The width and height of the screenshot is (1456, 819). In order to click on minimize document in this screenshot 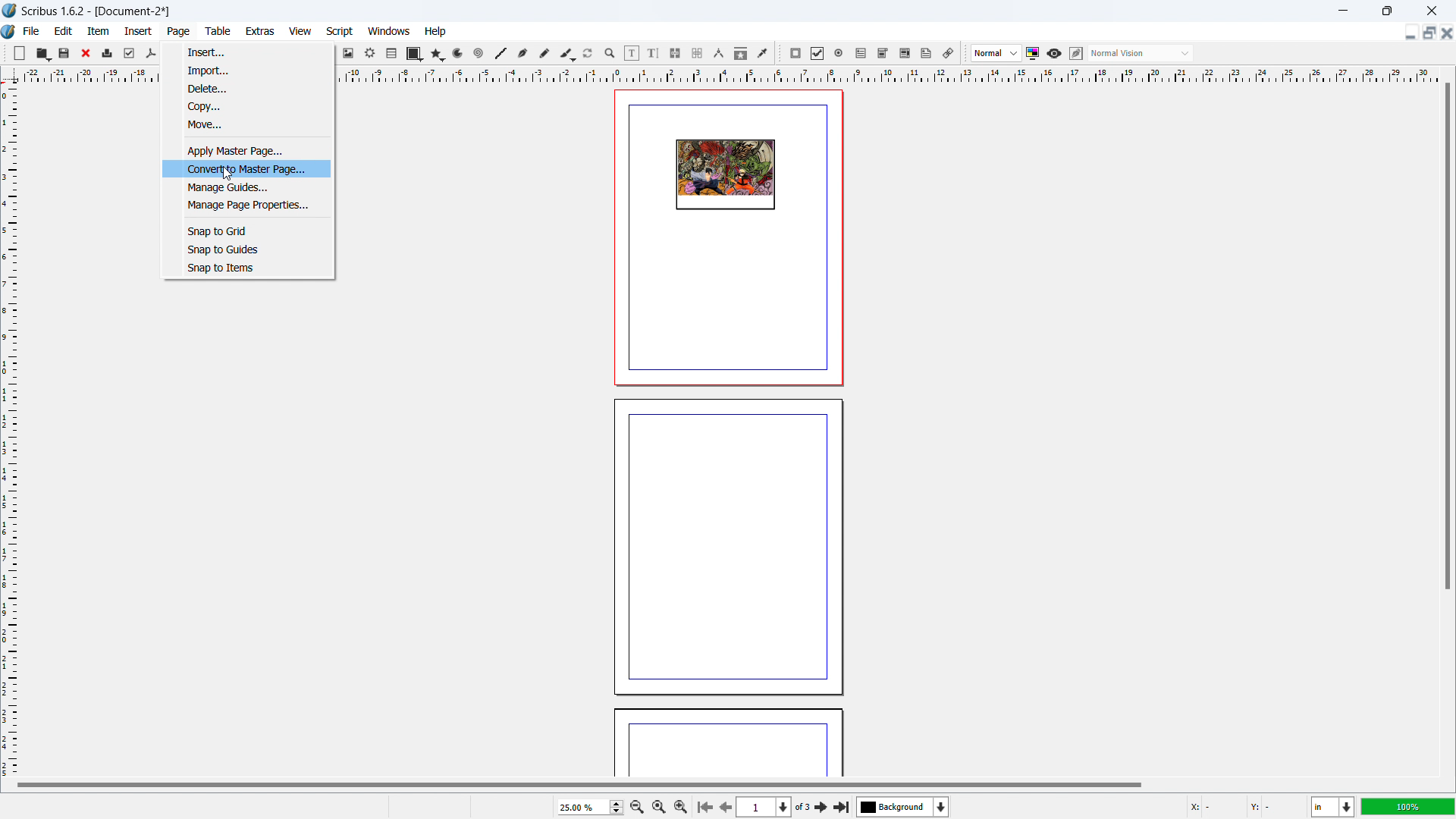, I will do `click(1408, 34)`.